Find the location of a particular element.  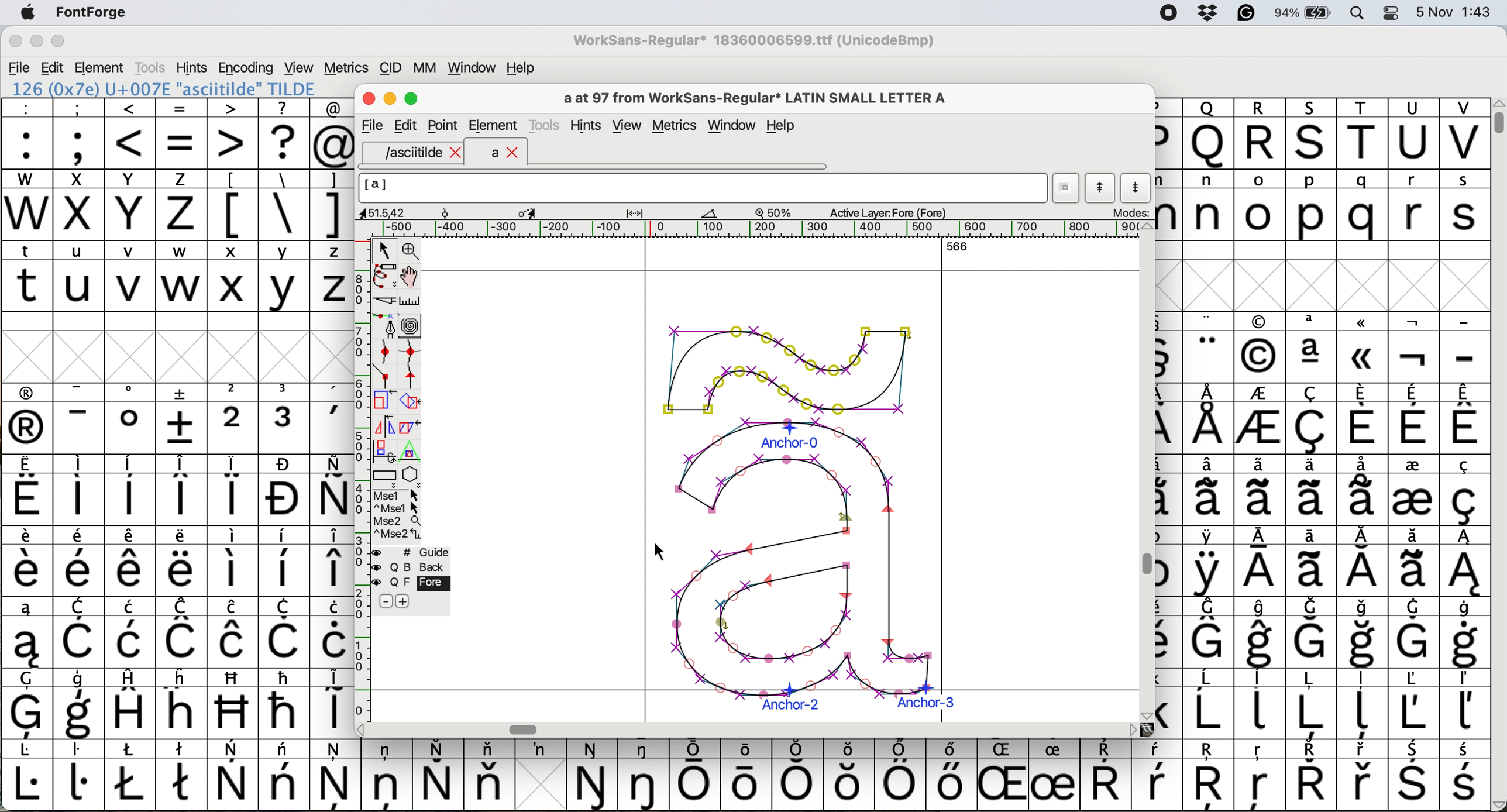

symbol is located at coordinates (1262, 490).